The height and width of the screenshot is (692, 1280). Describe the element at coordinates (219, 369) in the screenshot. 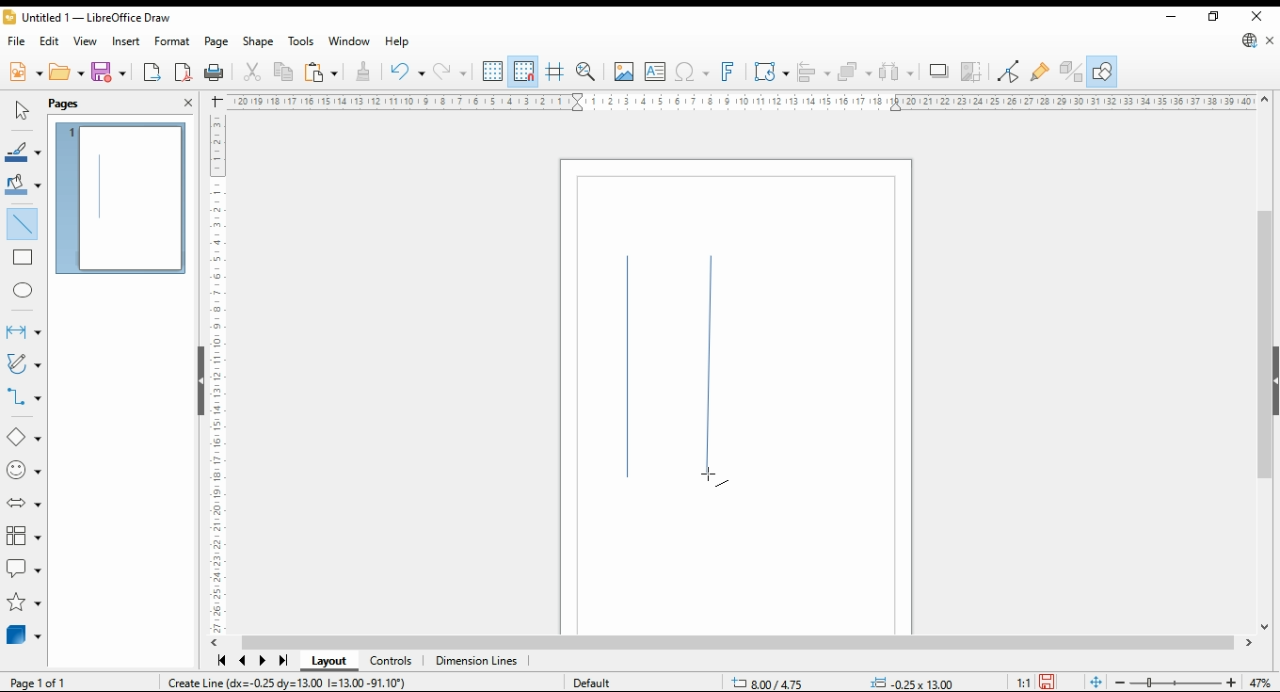

I see `vertical scale` at that location.